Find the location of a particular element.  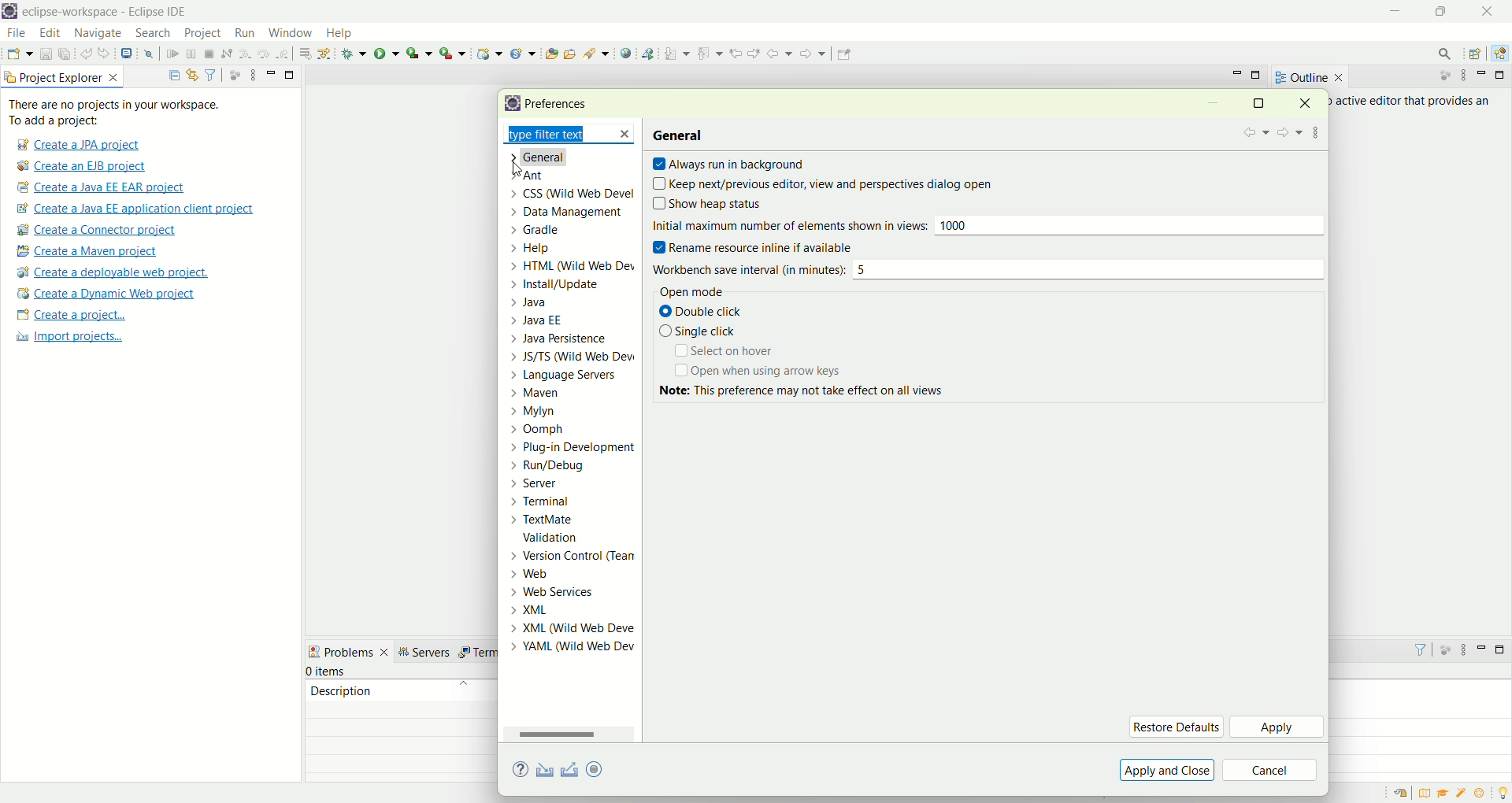

Note: This preference may not take effect on all views. is located at coordinates (816, 396).